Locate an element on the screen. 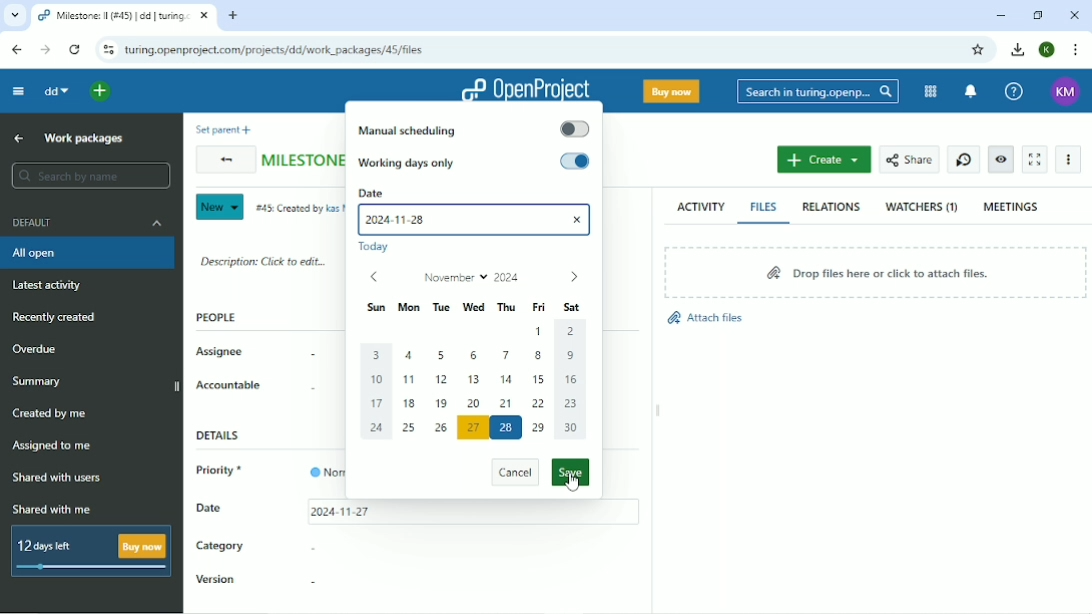 Image resolution: width=1092 pixels, height=614 pixels. Set parent is located at coordinates (220, 129).